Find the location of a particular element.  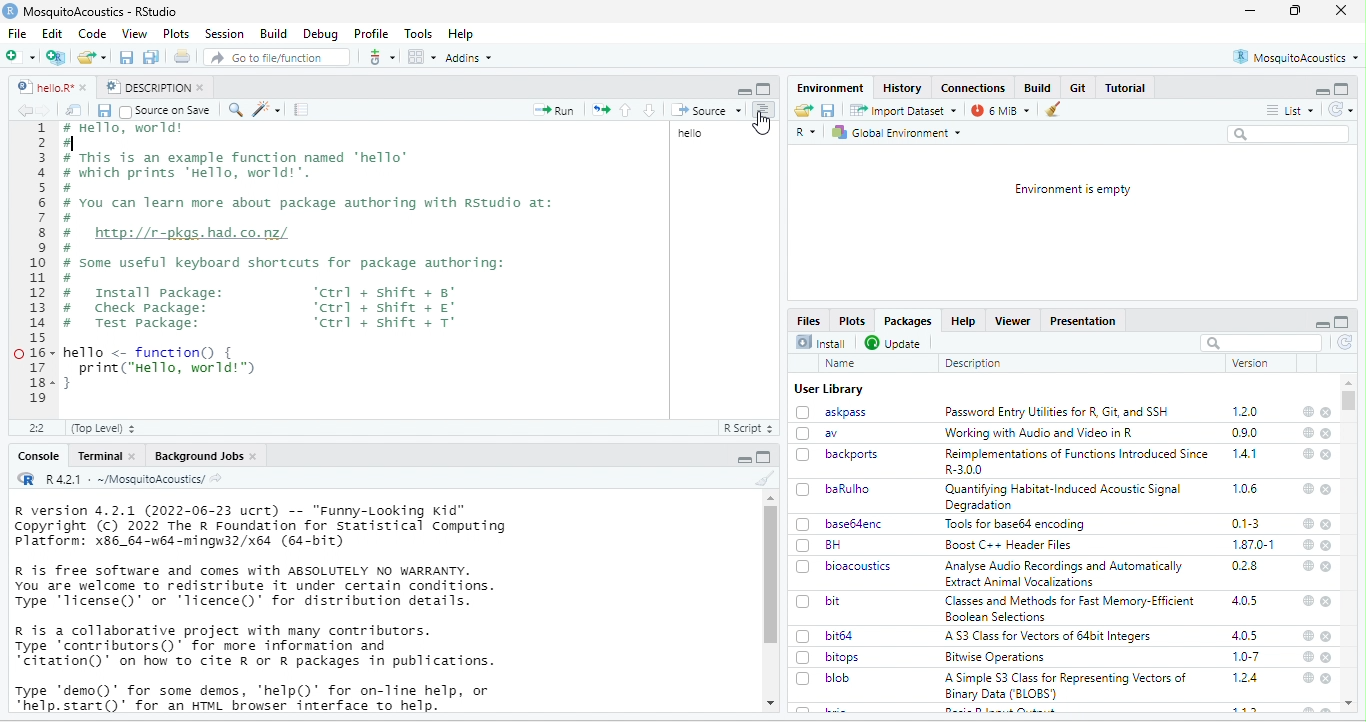

refresh is located at coordinates (1345, 343).